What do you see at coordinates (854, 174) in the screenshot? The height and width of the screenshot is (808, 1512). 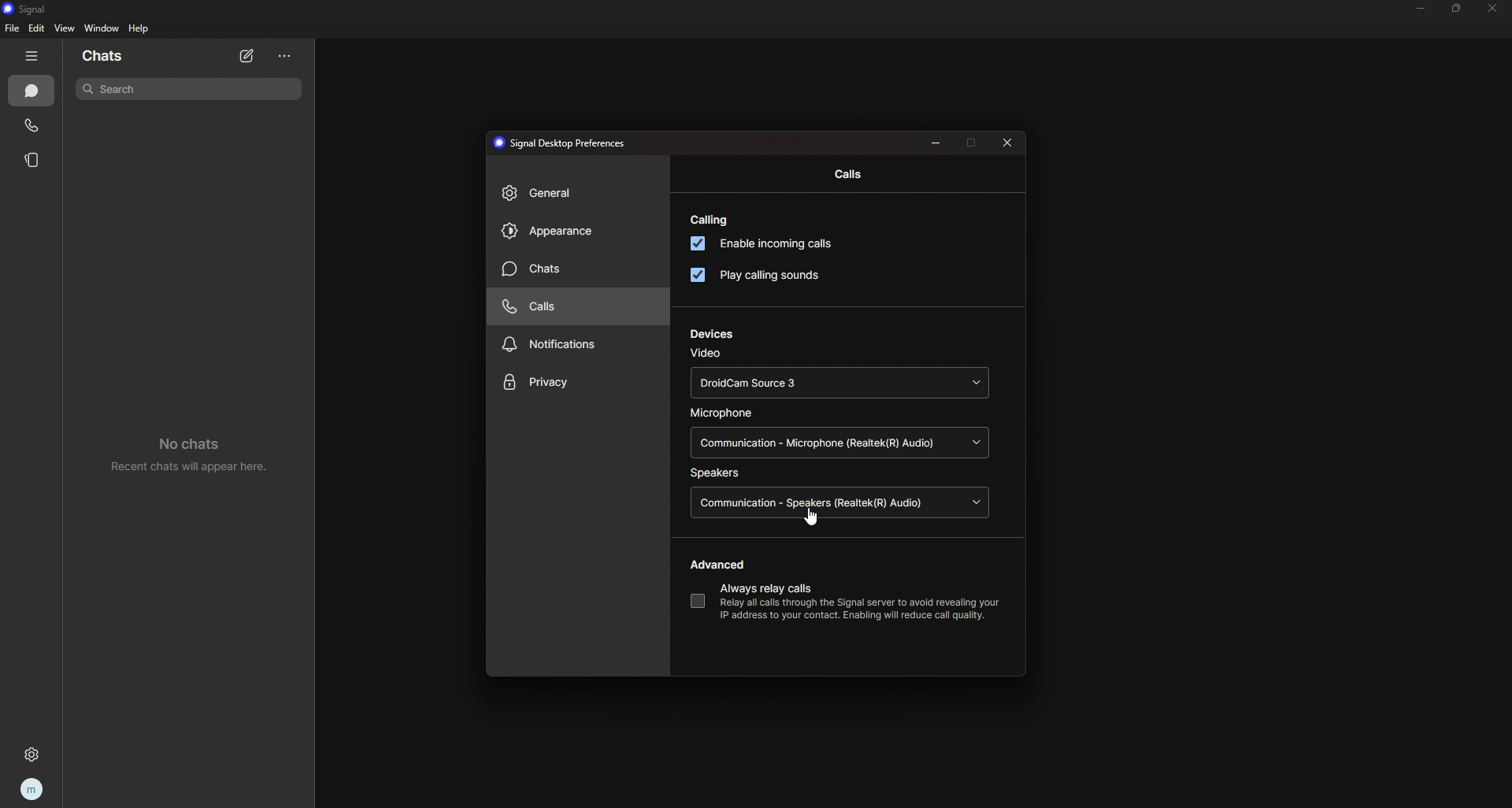 I see `calls` at bounding box center [854, 174].